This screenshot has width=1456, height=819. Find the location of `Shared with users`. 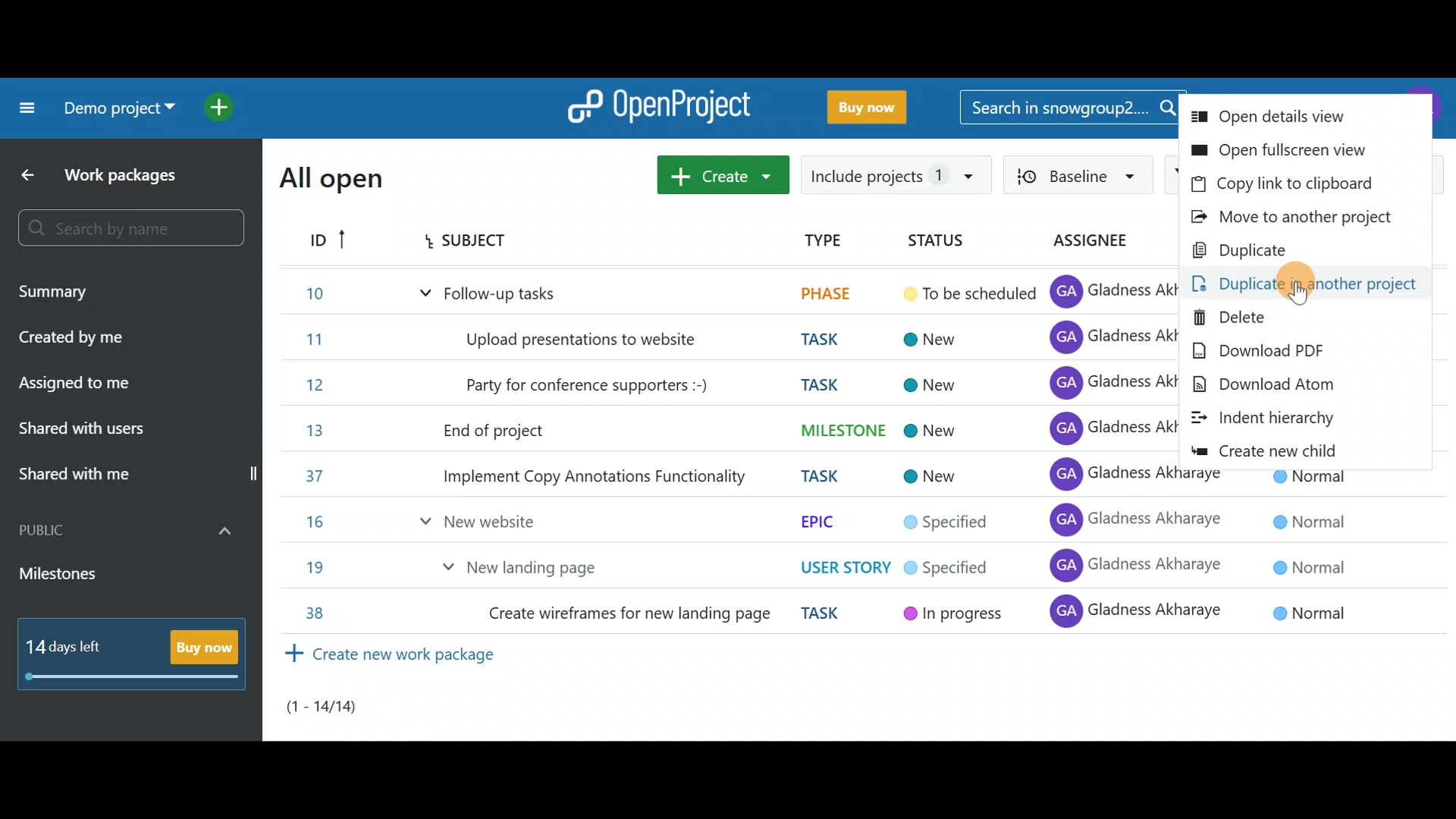

Shared with users is located at coordinates (119, 428).